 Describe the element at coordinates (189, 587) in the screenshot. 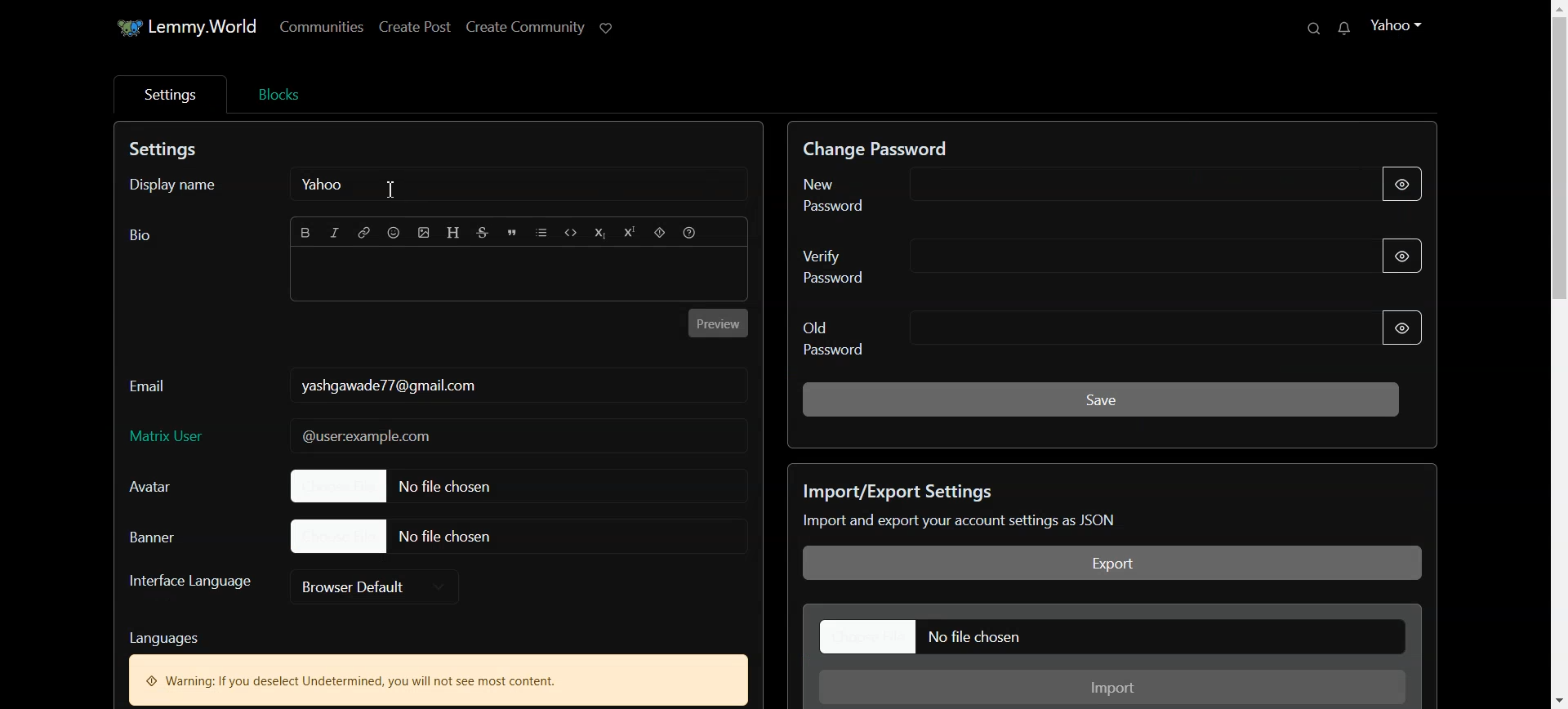

I see `Interface Language` at that location.